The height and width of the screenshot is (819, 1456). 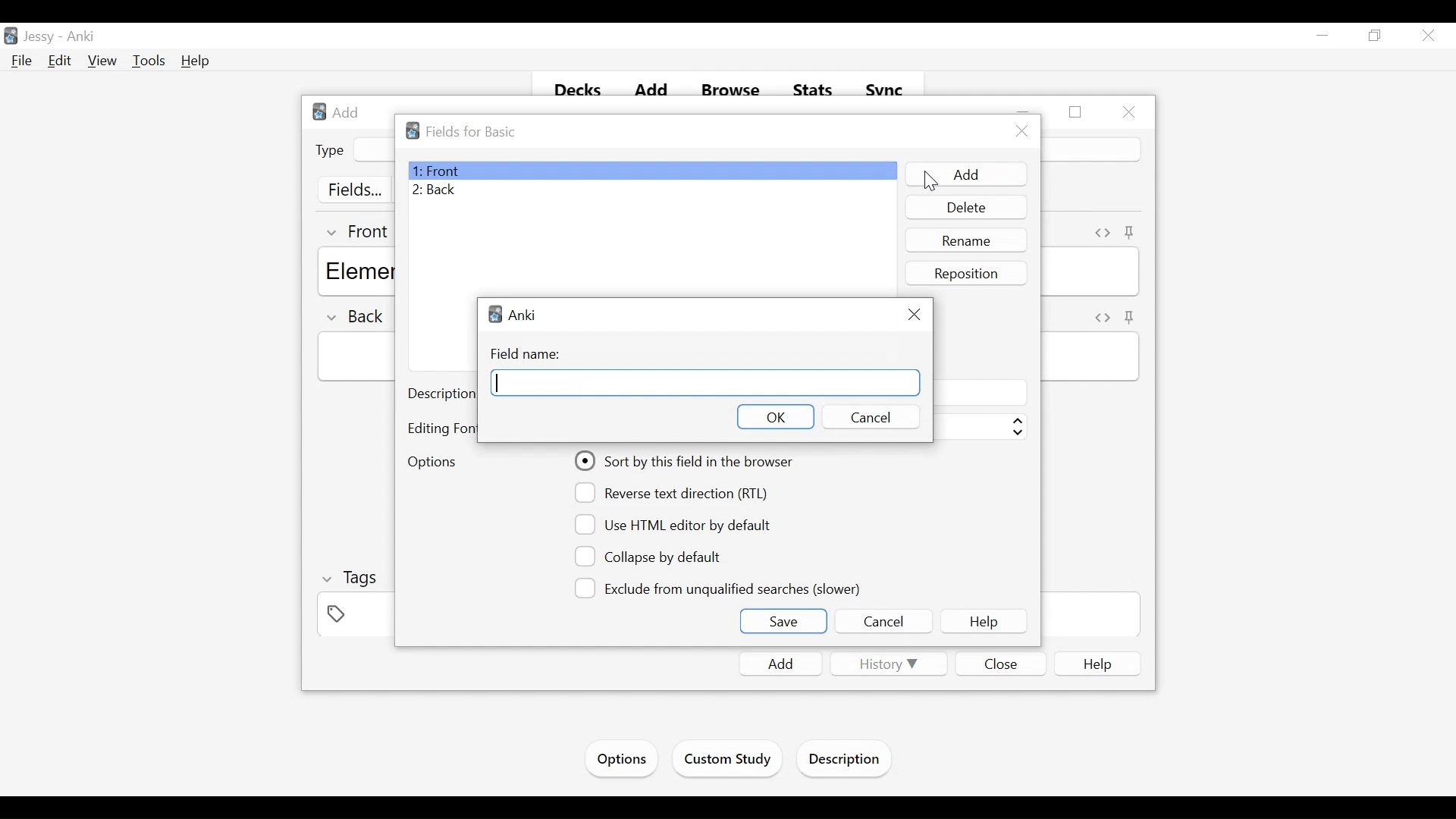 What do you see at coordinates (652, 557) in the screenshot?
I see `(un)select Collapse by Default` at bounding box center [652, 557].